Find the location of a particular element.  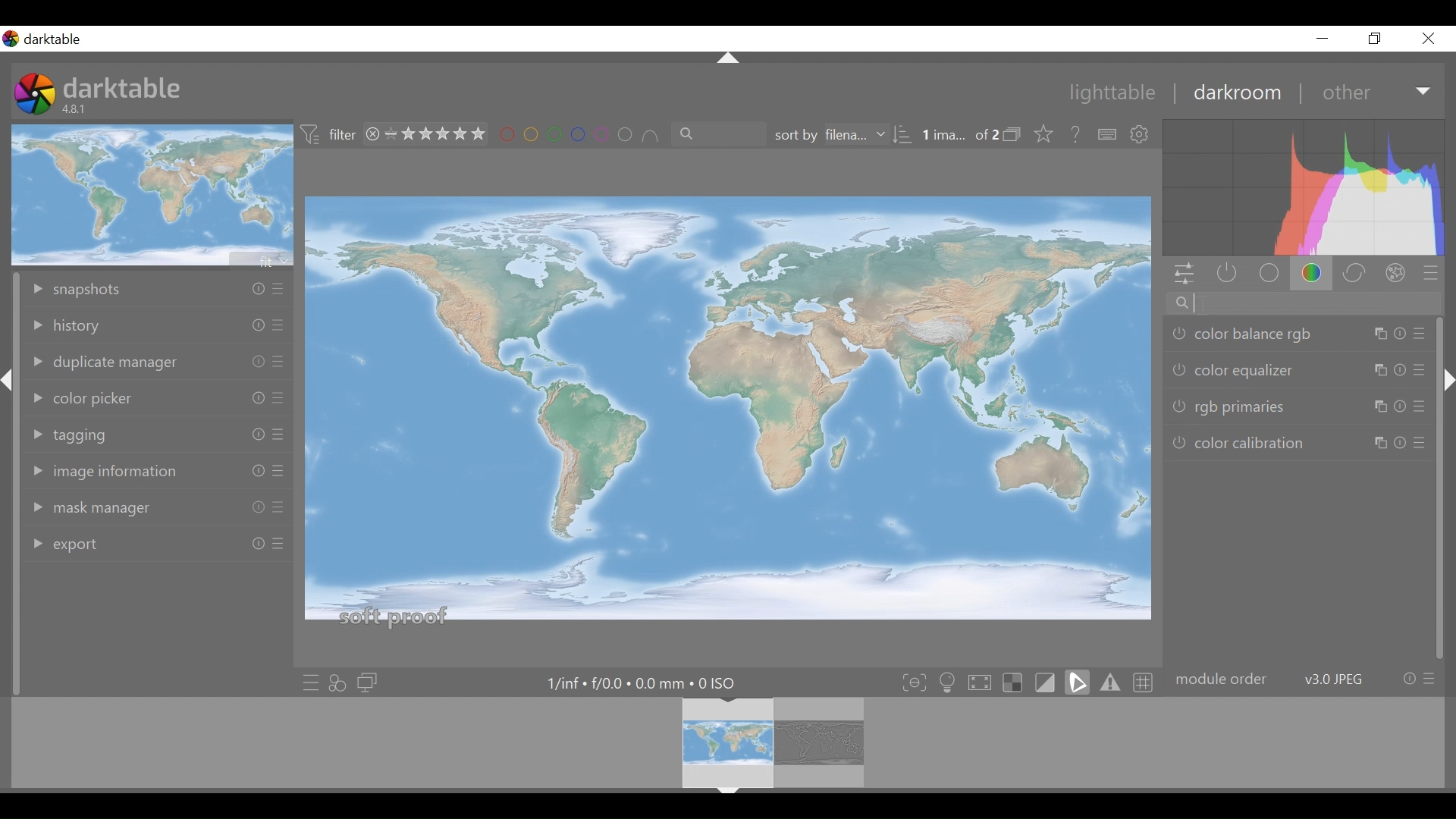

toggle display indication is located at coordinates (1048, 682).